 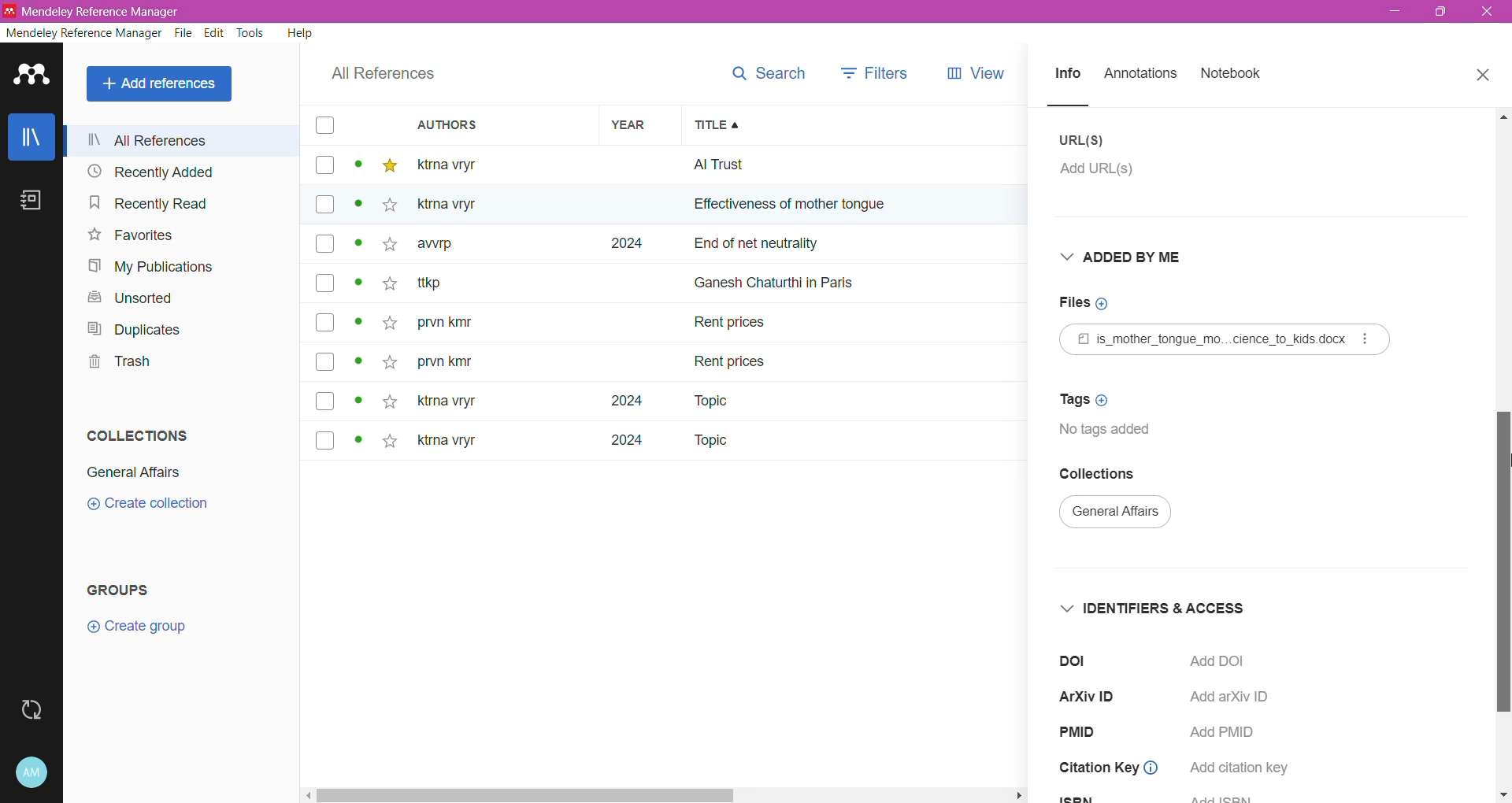 I want to click on maximize , so click(x=1445, y=16).